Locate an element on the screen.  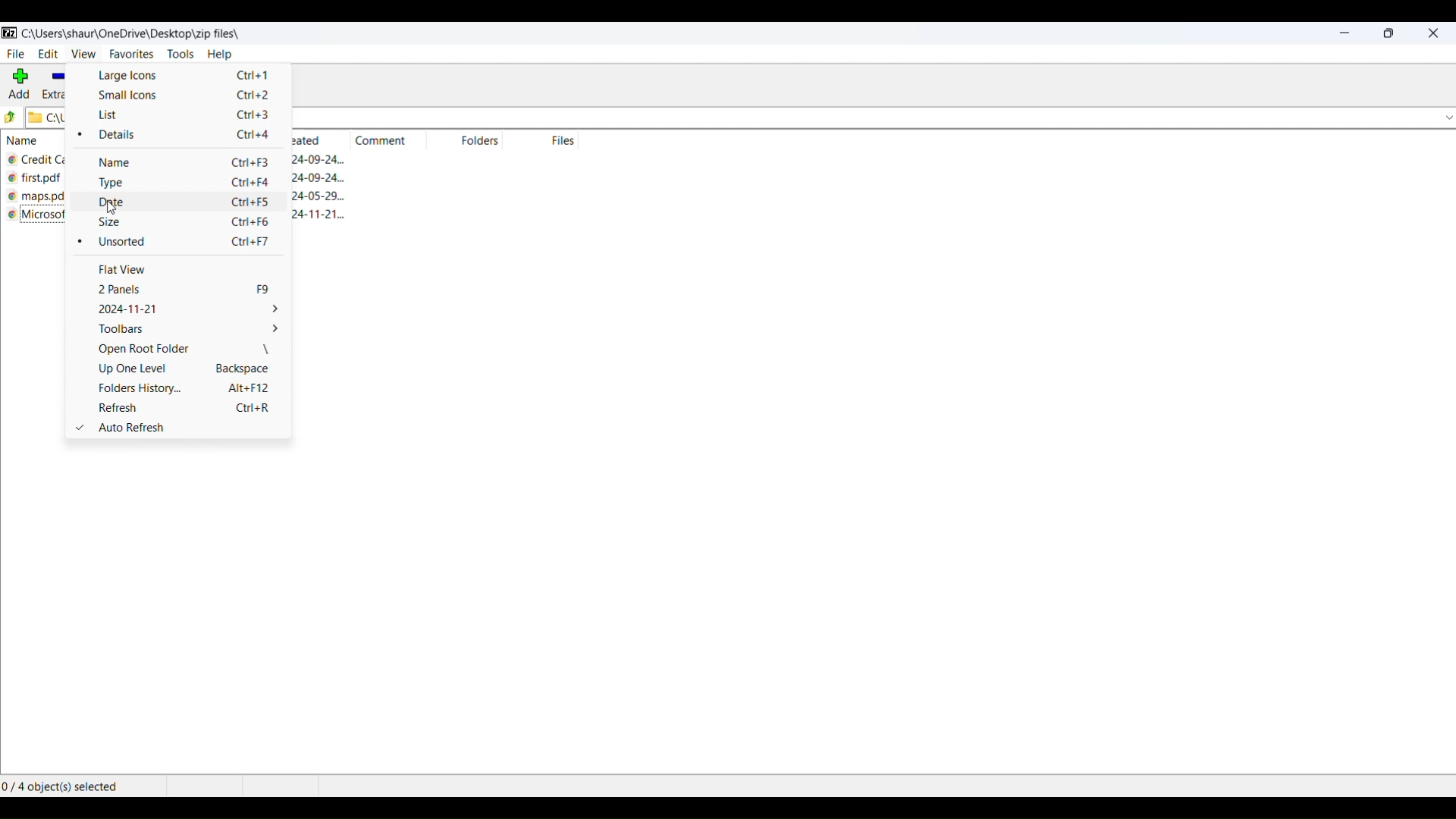
extract is located at coordinates (58, 86).